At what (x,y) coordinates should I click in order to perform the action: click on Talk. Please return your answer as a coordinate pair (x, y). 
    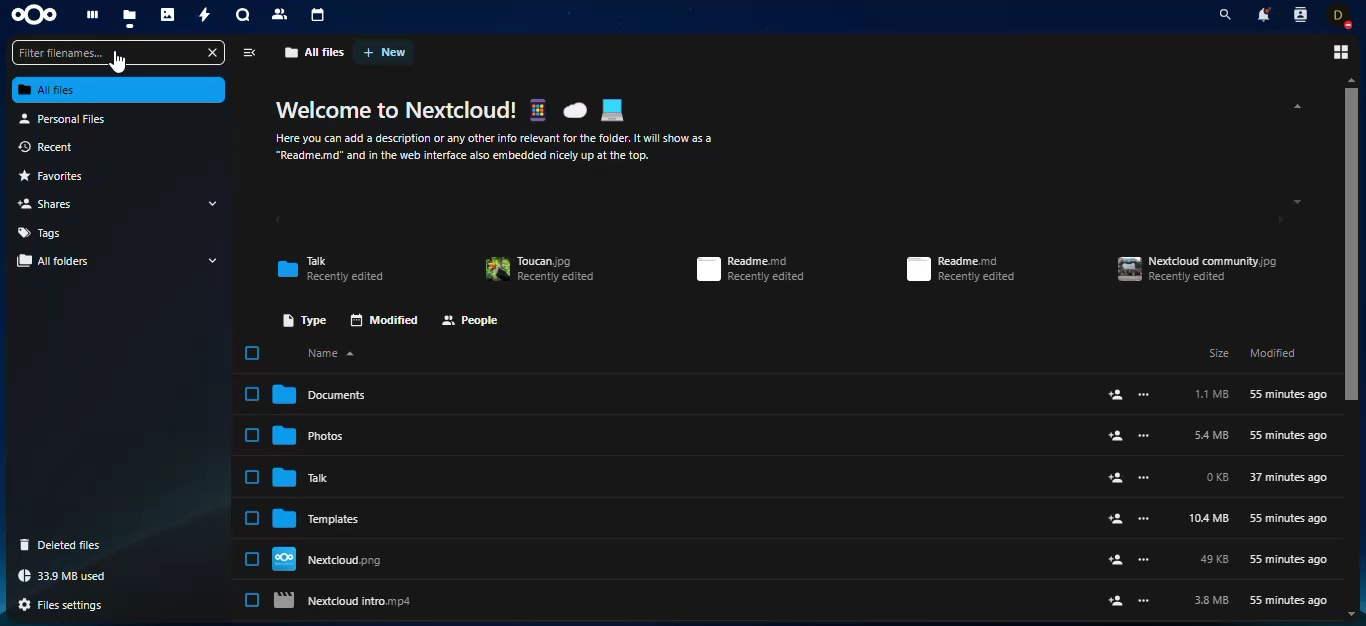
    Looking at the image, I should click on (685, 476).